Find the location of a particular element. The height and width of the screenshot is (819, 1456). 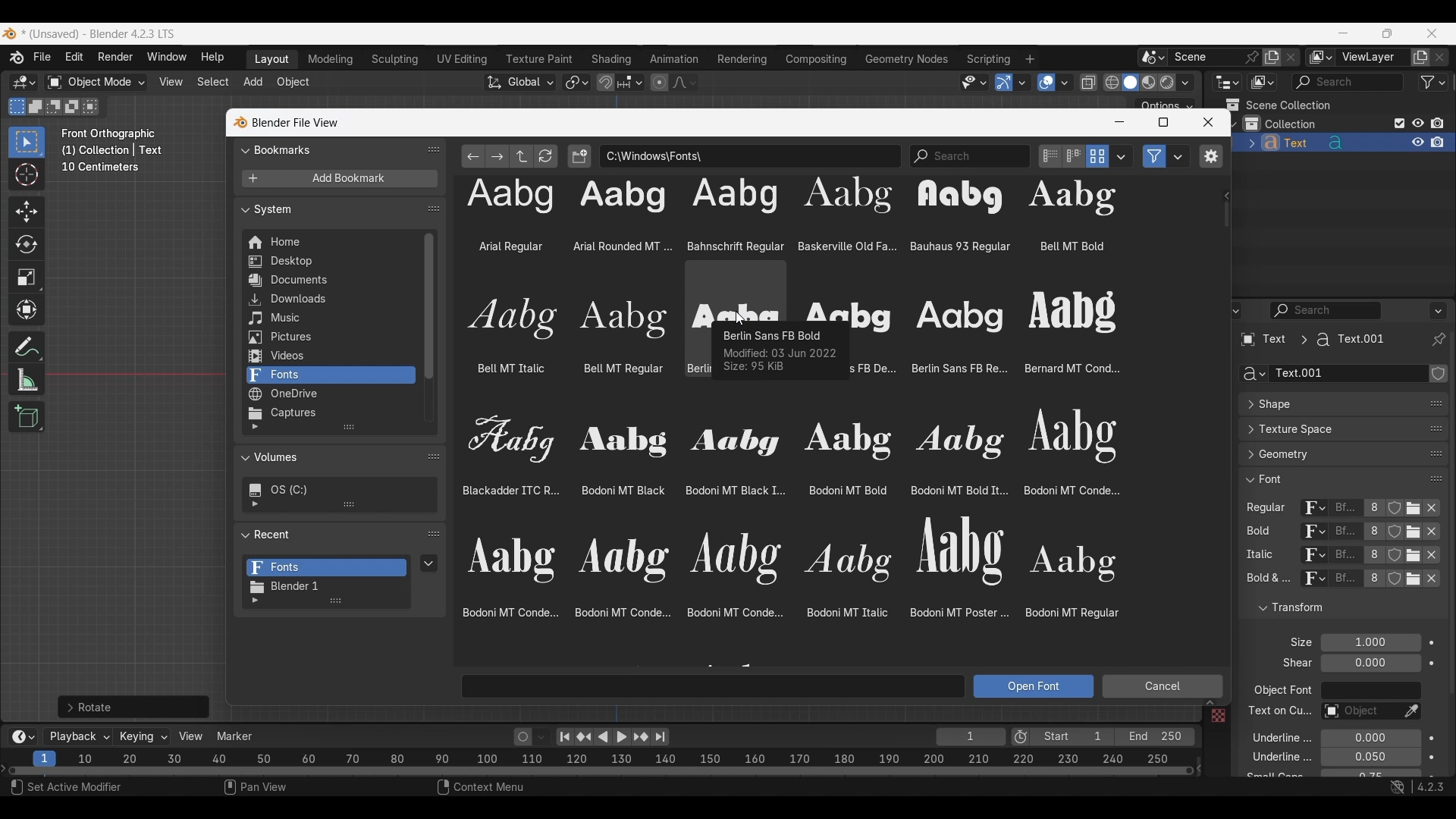

Animate property of respective attribute is located at coordinates (1432, 708).